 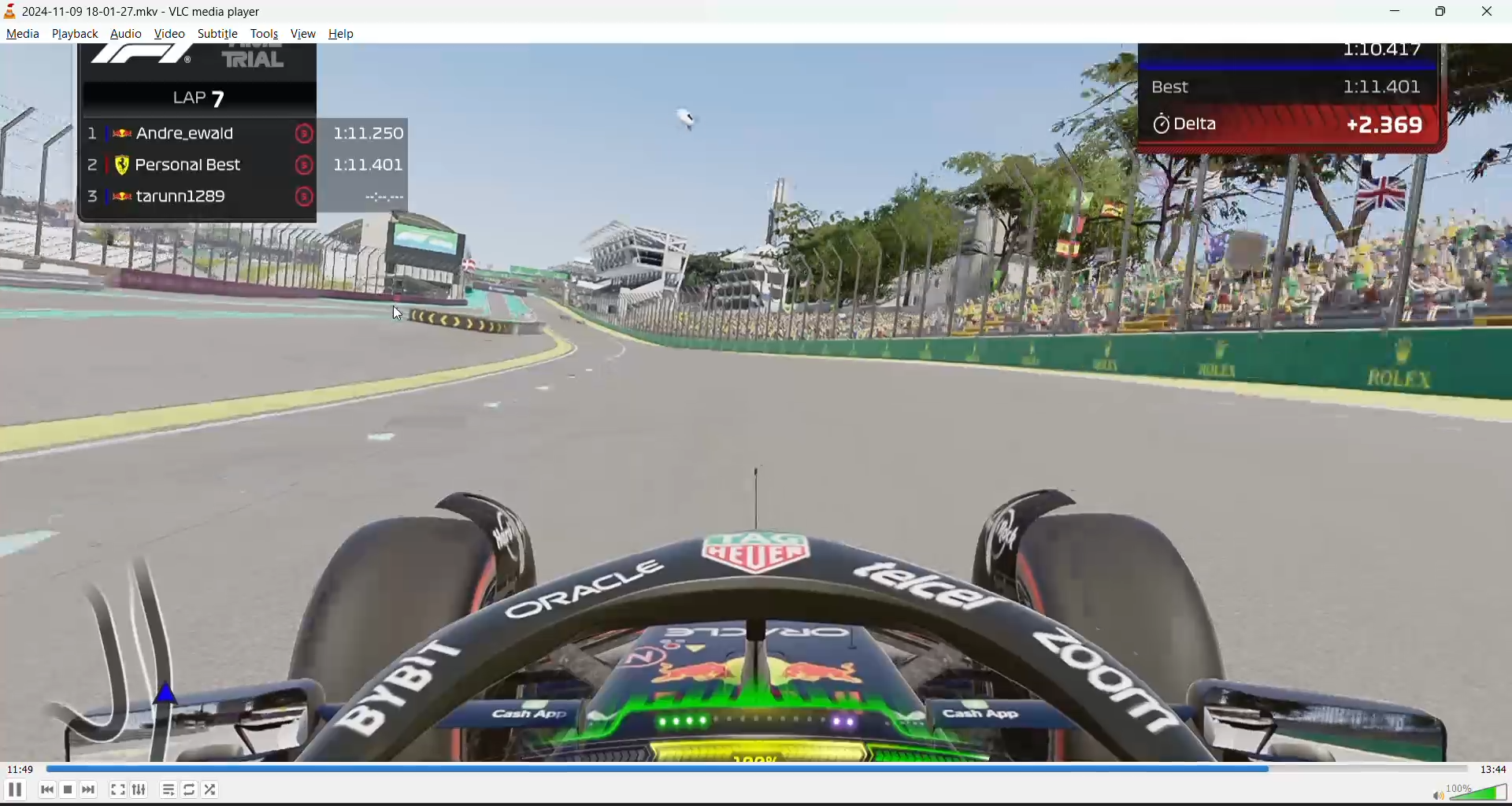 What do you see at coordinates (78, 35) in the screenshot?
I see `playback` at bounding box center [78, 35].